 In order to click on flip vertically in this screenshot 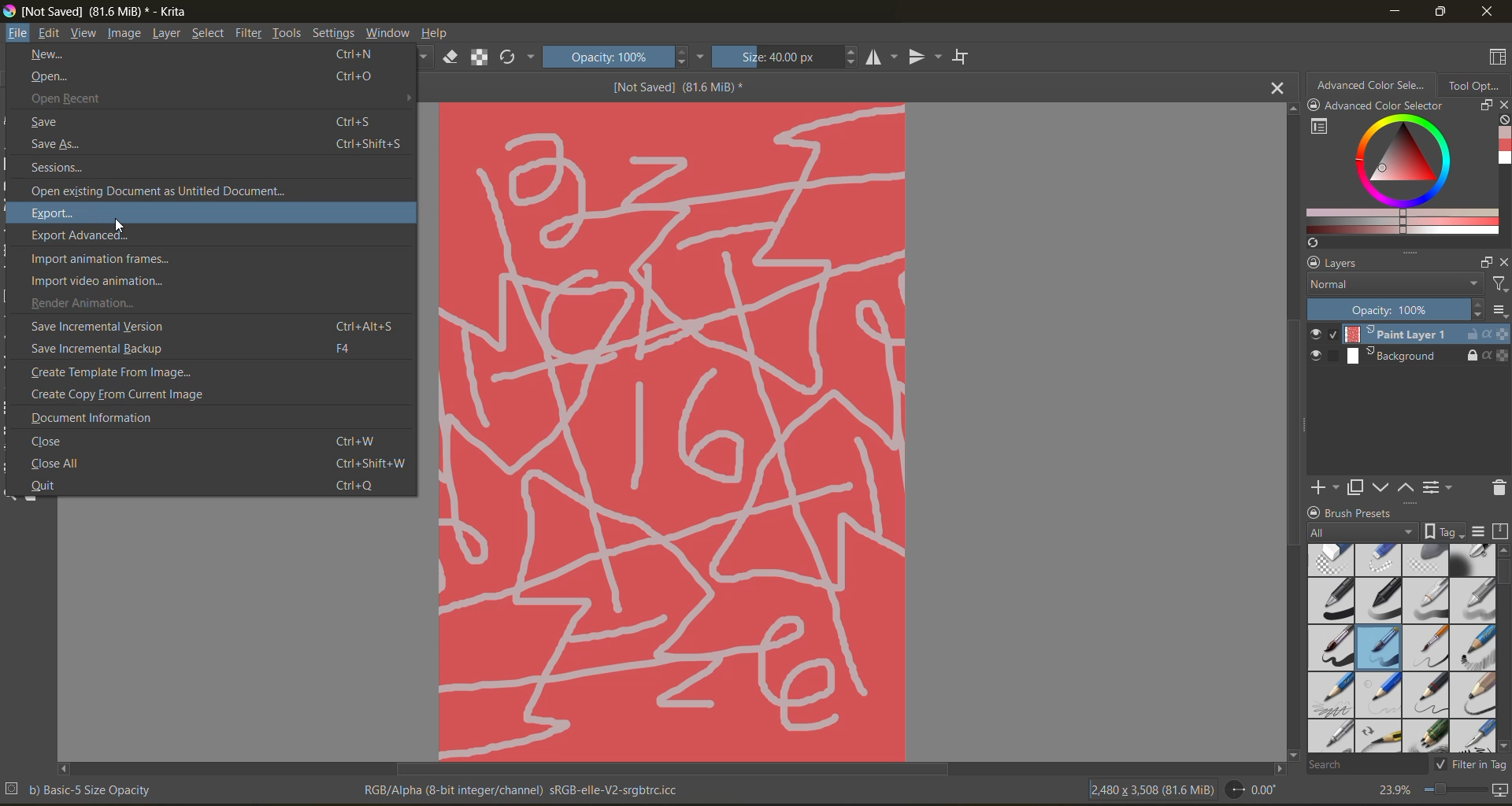, I will do `click(922, 58)`.